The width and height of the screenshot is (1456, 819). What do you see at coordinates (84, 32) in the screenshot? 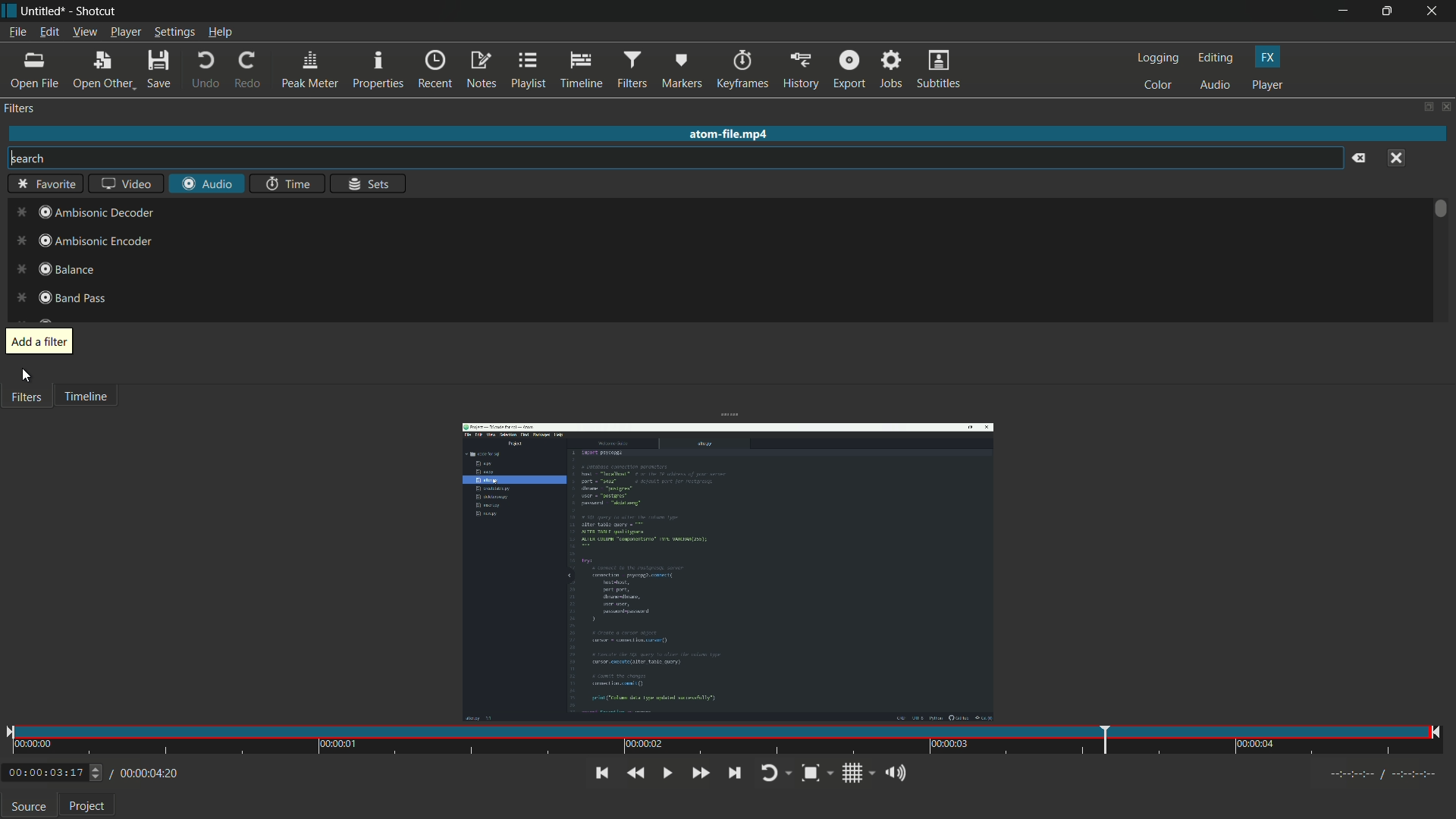
I see `view menu` at bounding box center [84, 32].